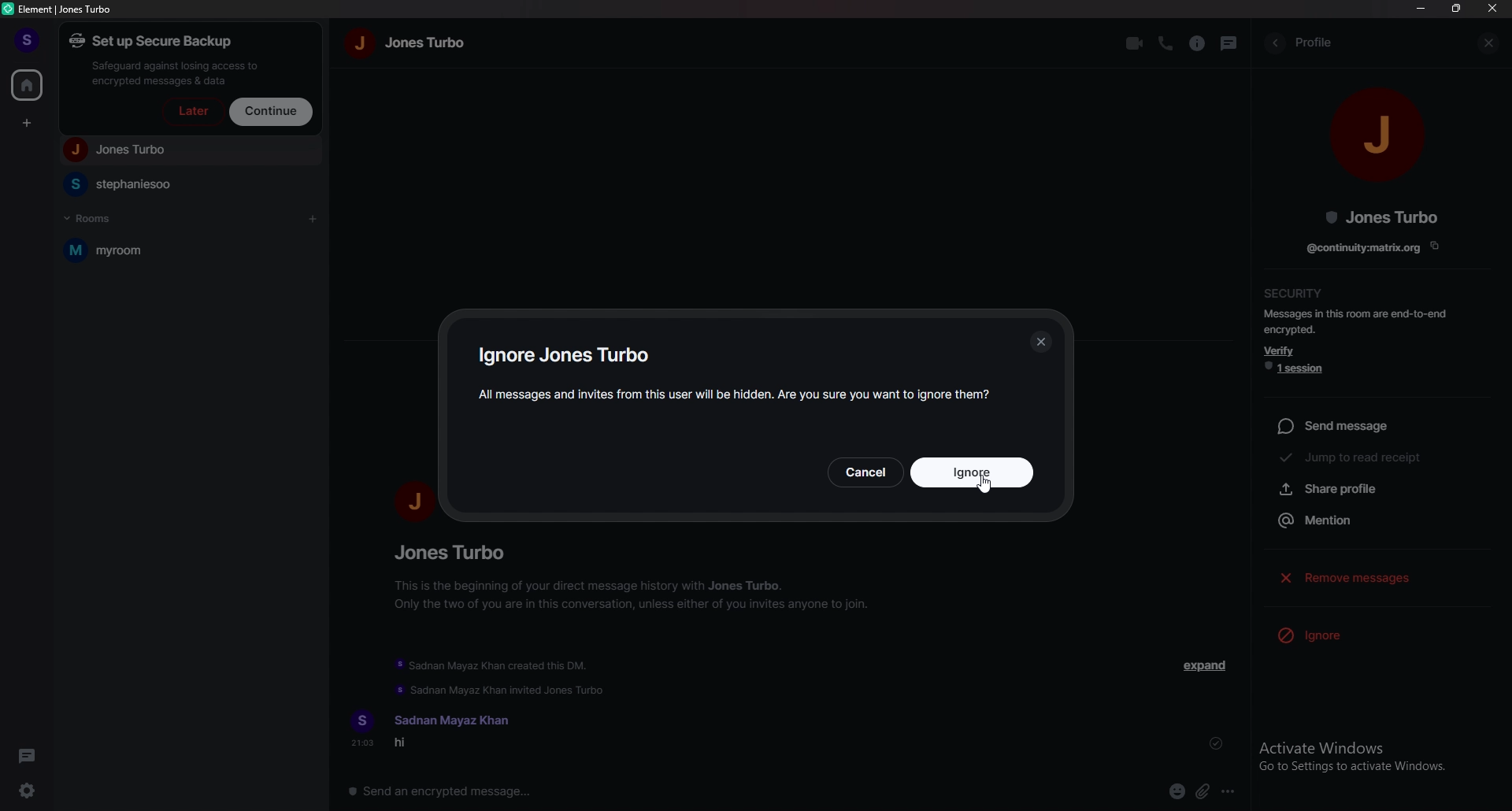 This screenshot has height=811, width=1512. What do you see at coordinates (1216, 743) in the screenshot?
I see `sent` at bounding box center [1216, 743].